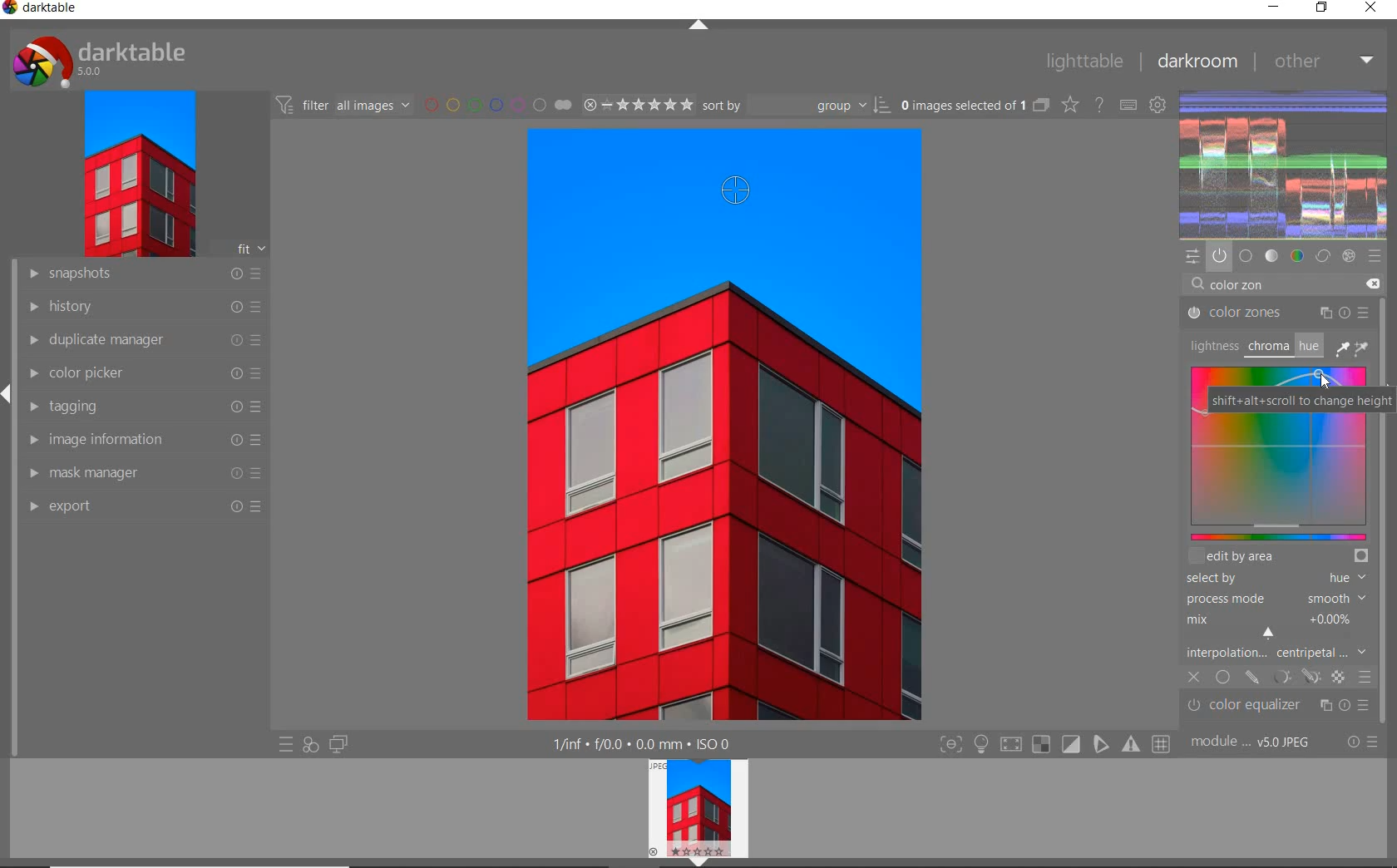 The width and height of the screenshot is (1397, 868). What do you see at coordinates (344, 105) in the screenshot?
I see `filter all images` at bounding box center [344, 105].